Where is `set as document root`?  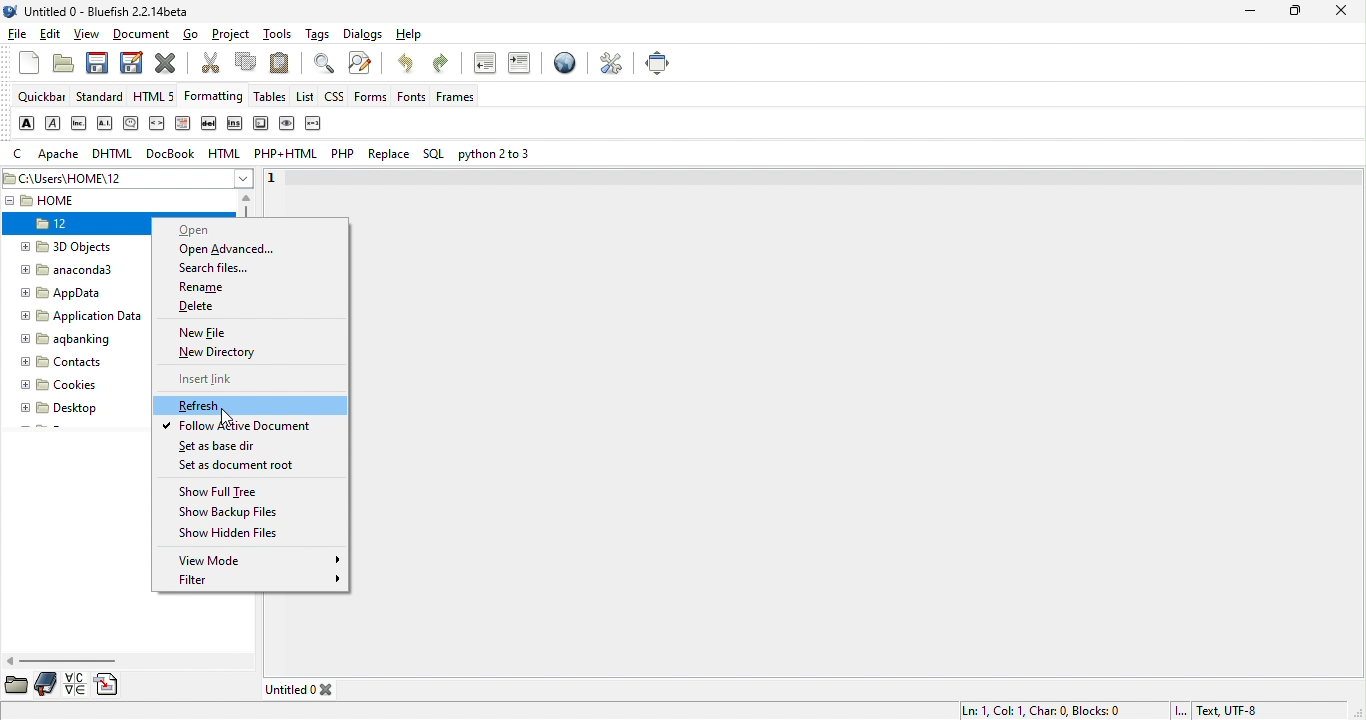 set as document root is located at coordinates (243, 467).